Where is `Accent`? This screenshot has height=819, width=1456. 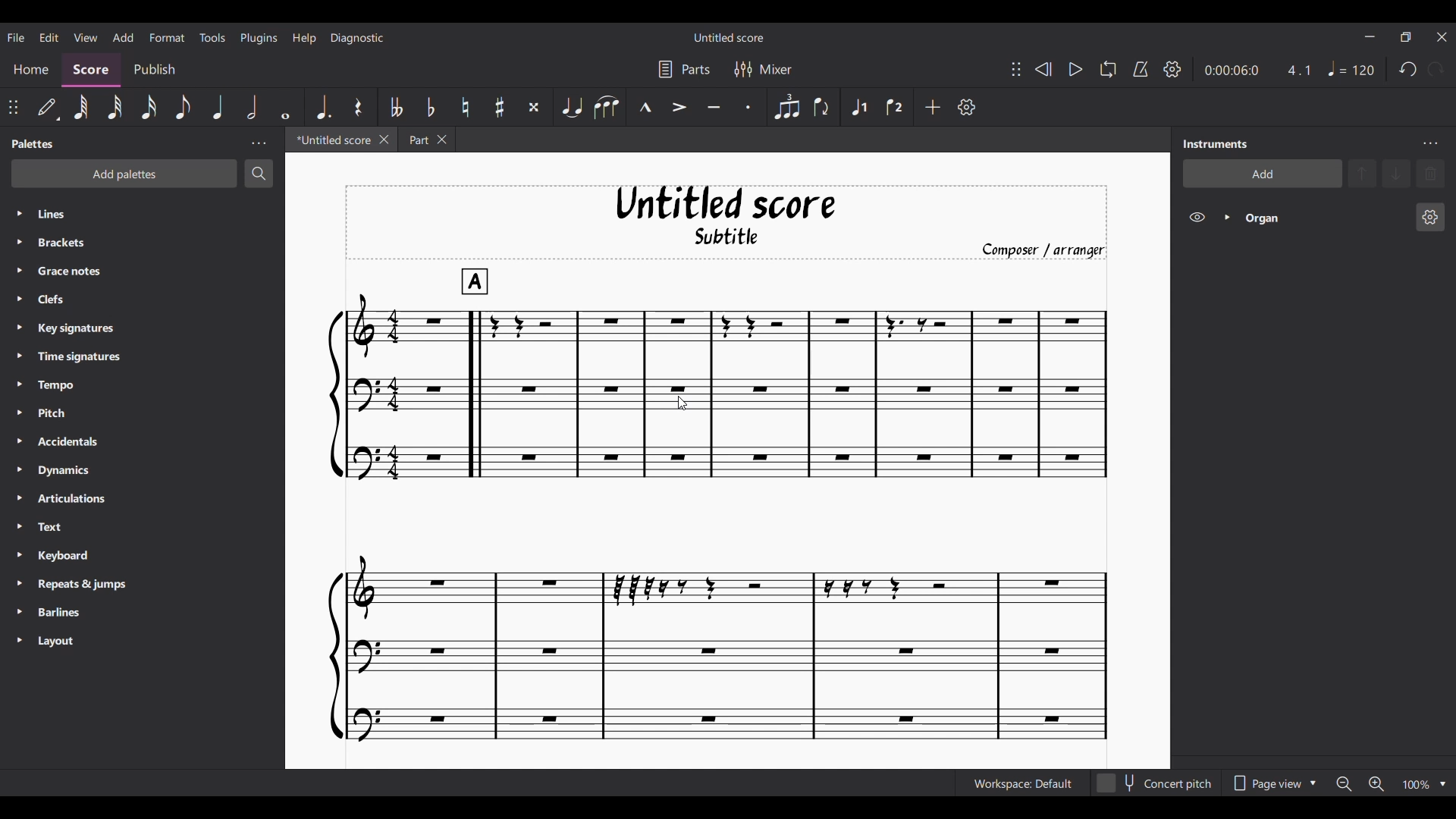
Accent is located at coordinates (679, 108).